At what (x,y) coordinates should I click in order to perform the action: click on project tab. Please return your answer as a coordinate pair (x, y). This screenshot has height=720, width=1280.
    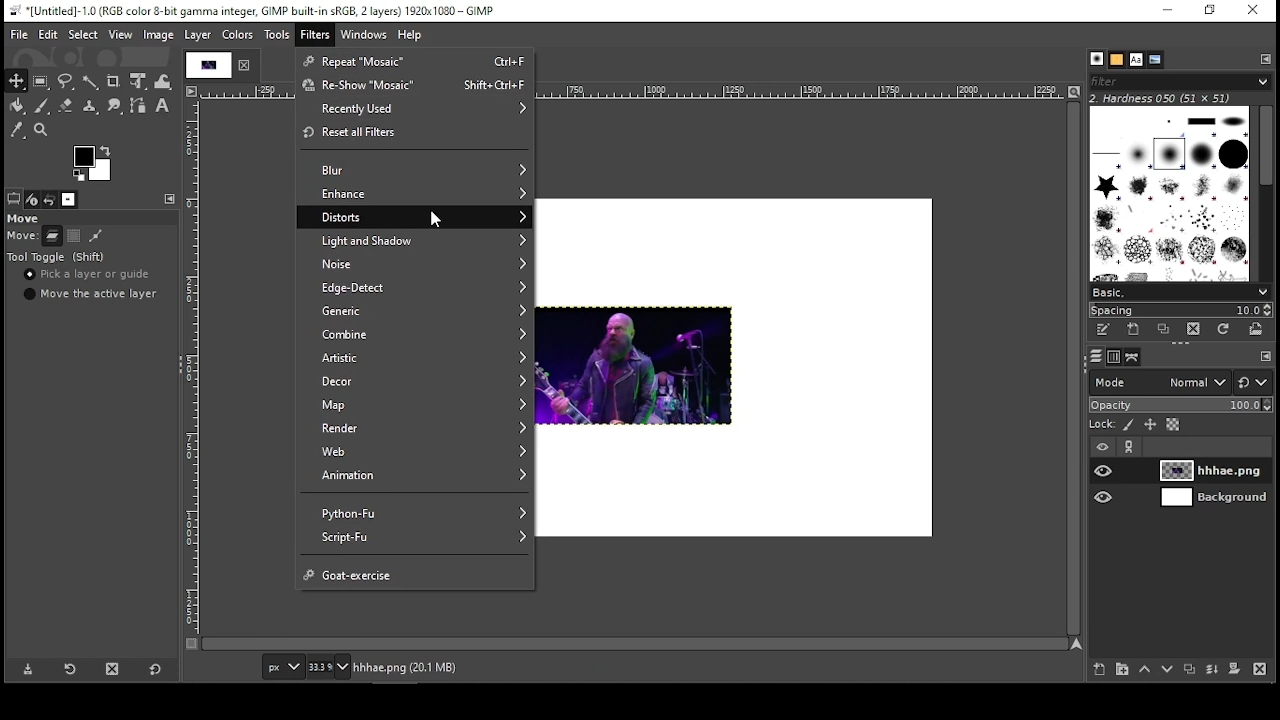
    Looking at the image, I should click on (220, 65).